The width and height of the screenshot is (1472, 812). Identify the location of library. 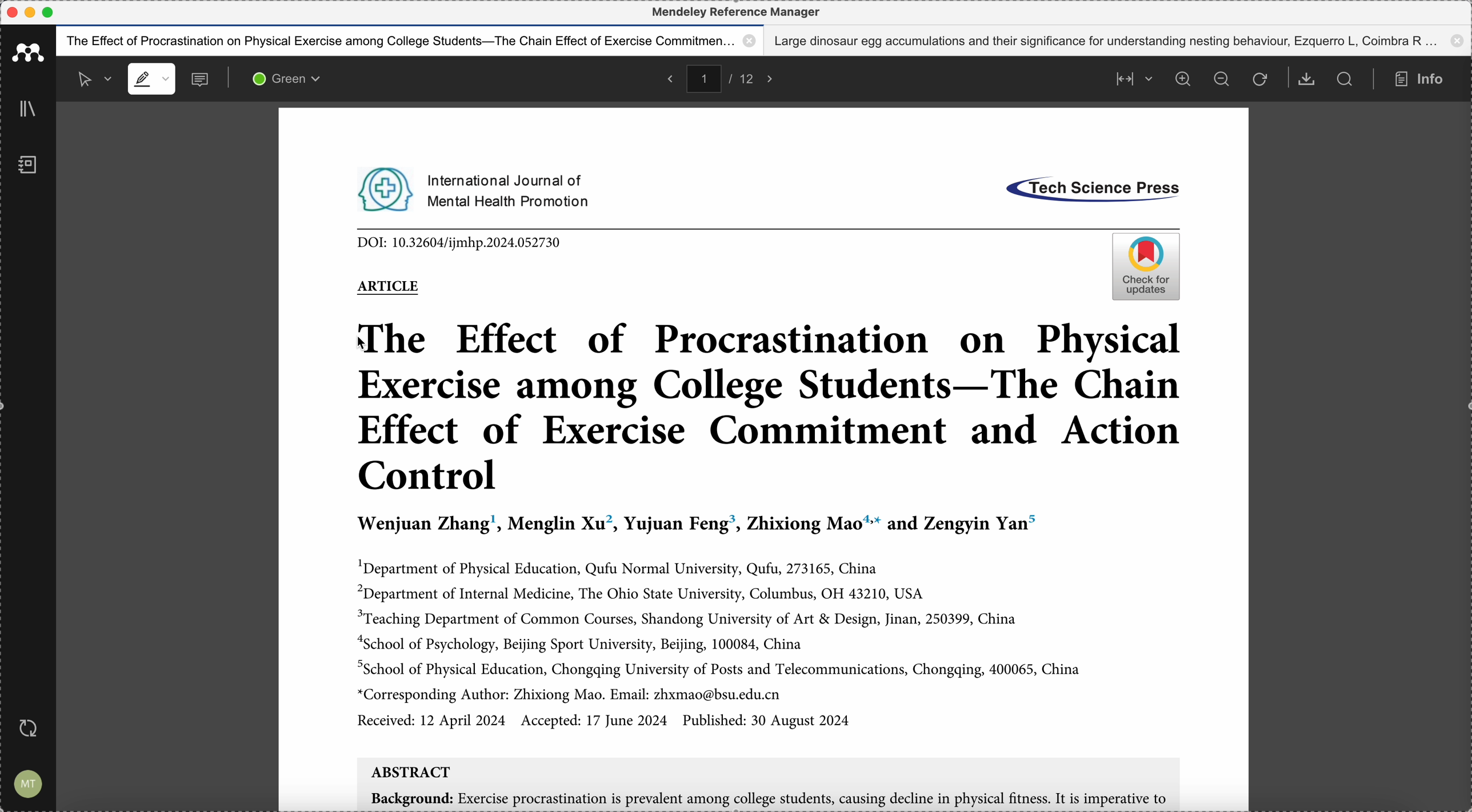
(30, 110).